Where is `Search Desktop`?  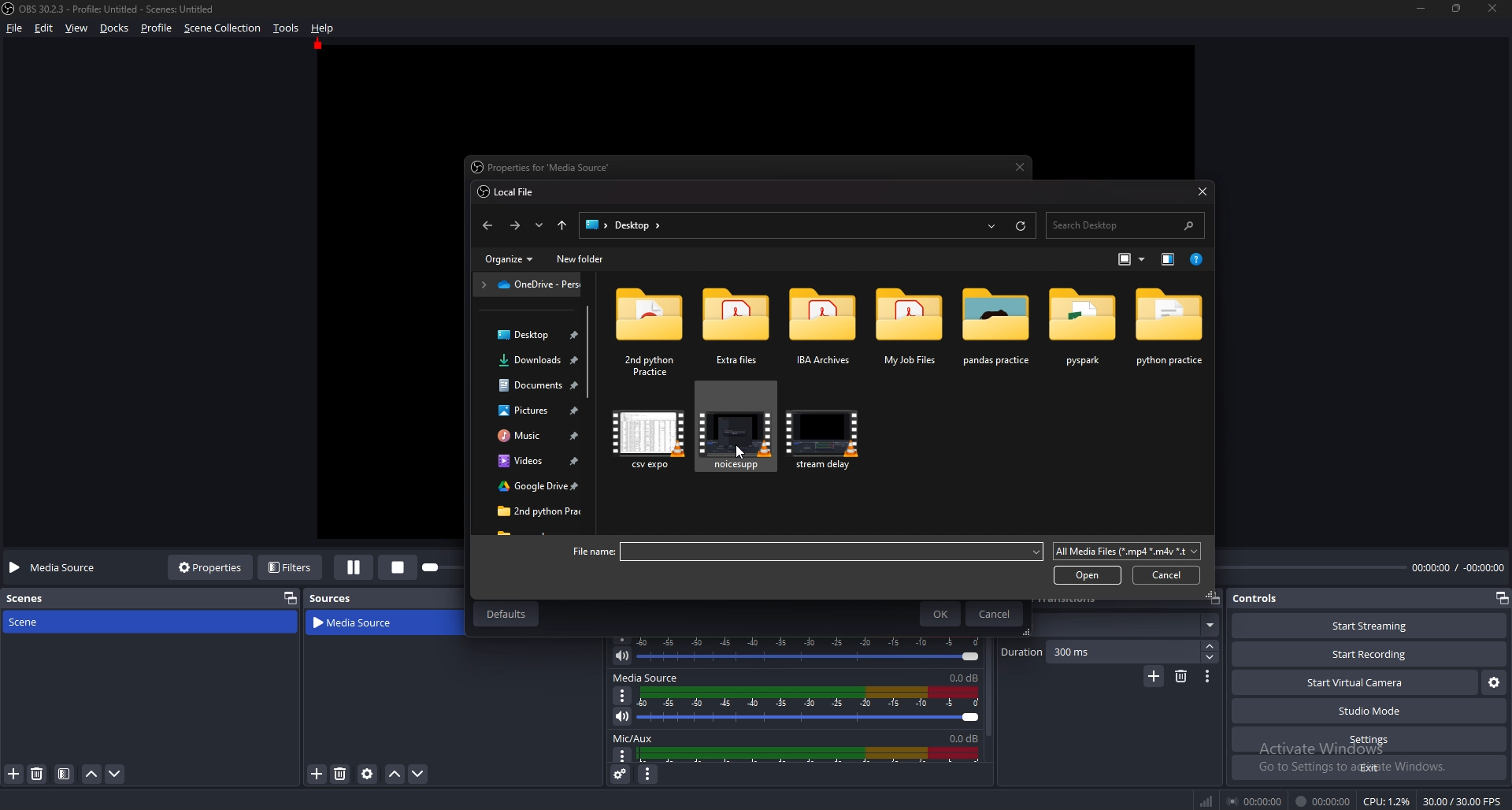
Search Desktop is located at coordinates (1125, 225).